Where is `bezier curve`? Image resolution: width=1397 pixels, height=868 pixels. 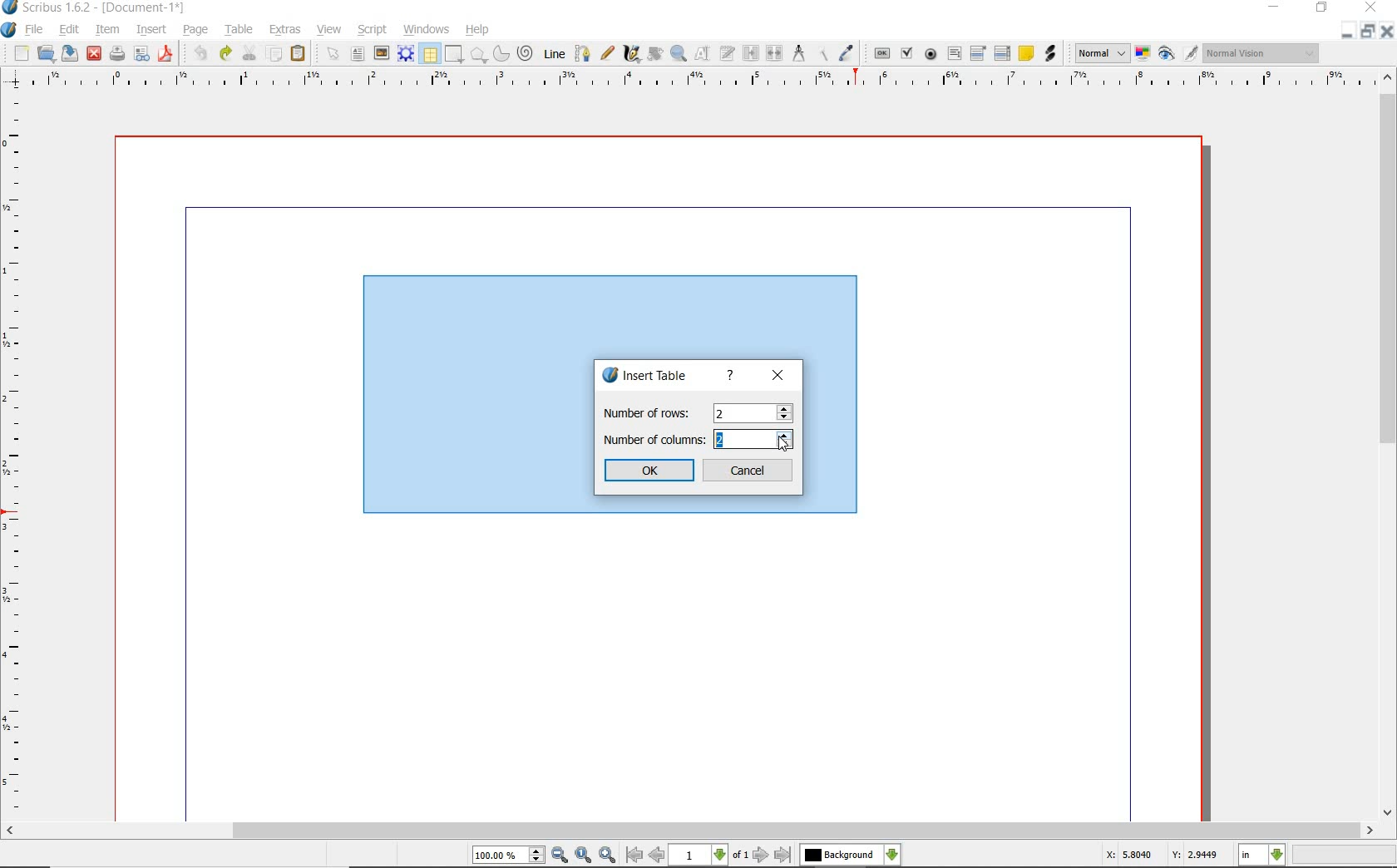 bezier curve is located at coordinates (582, 53).